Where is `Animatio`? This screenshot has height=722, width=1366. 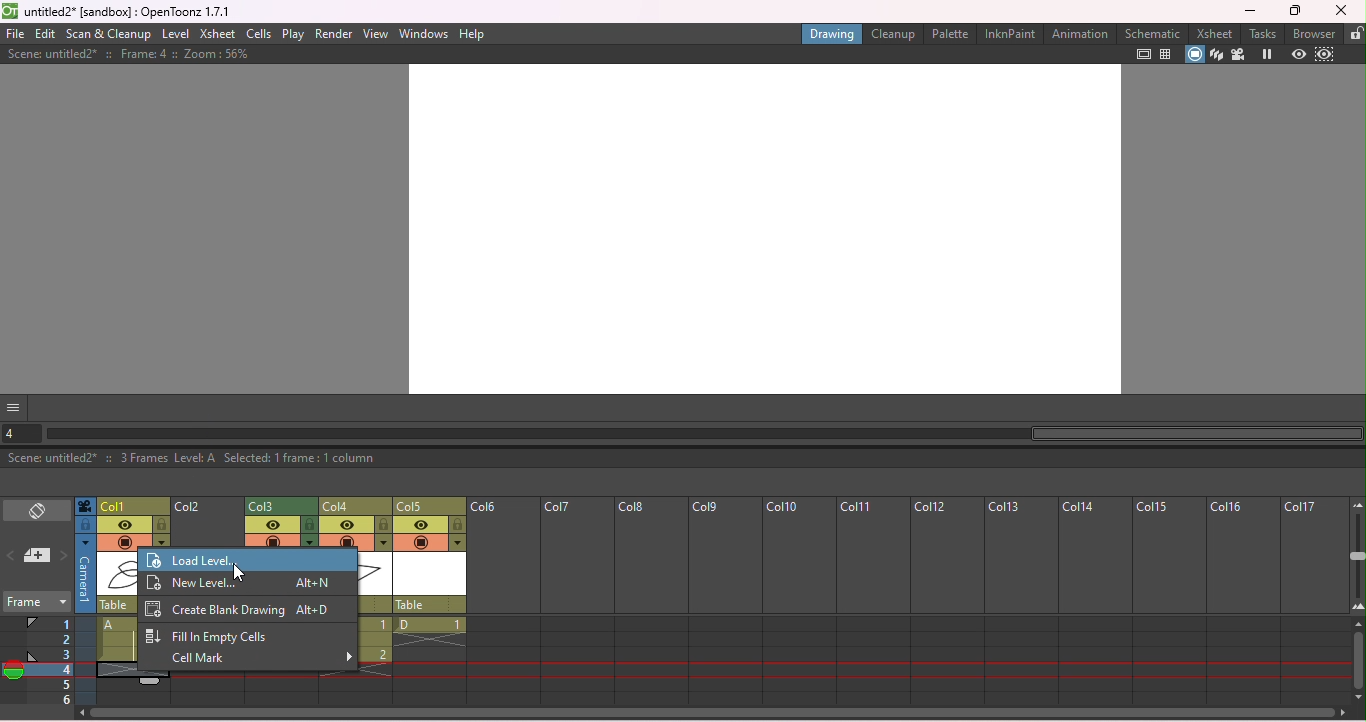
Animatio is located at coordinates (1079, 33).